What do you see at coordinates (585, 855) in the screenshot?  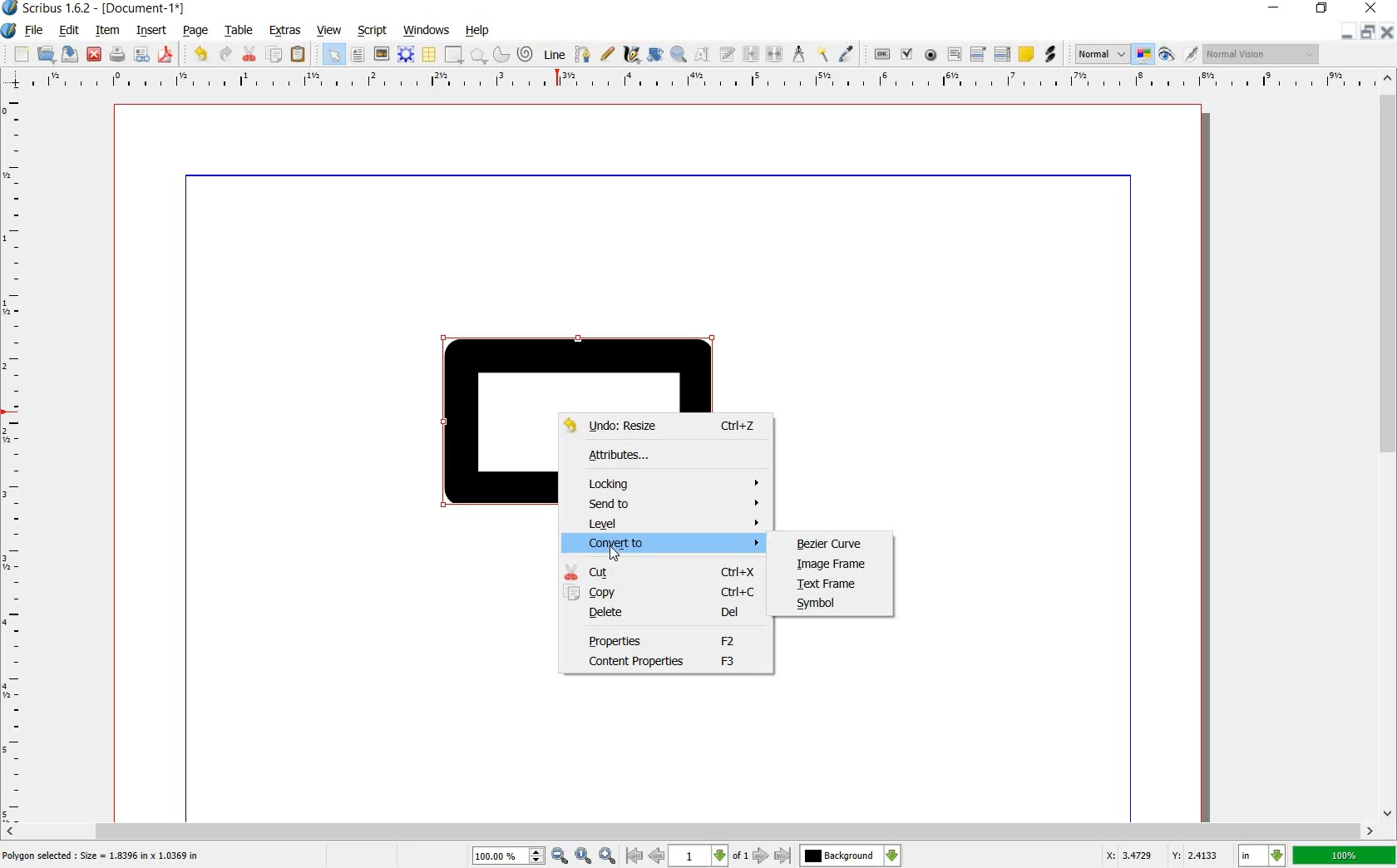 I see `Zoom to` at bounding box center [585, 855].